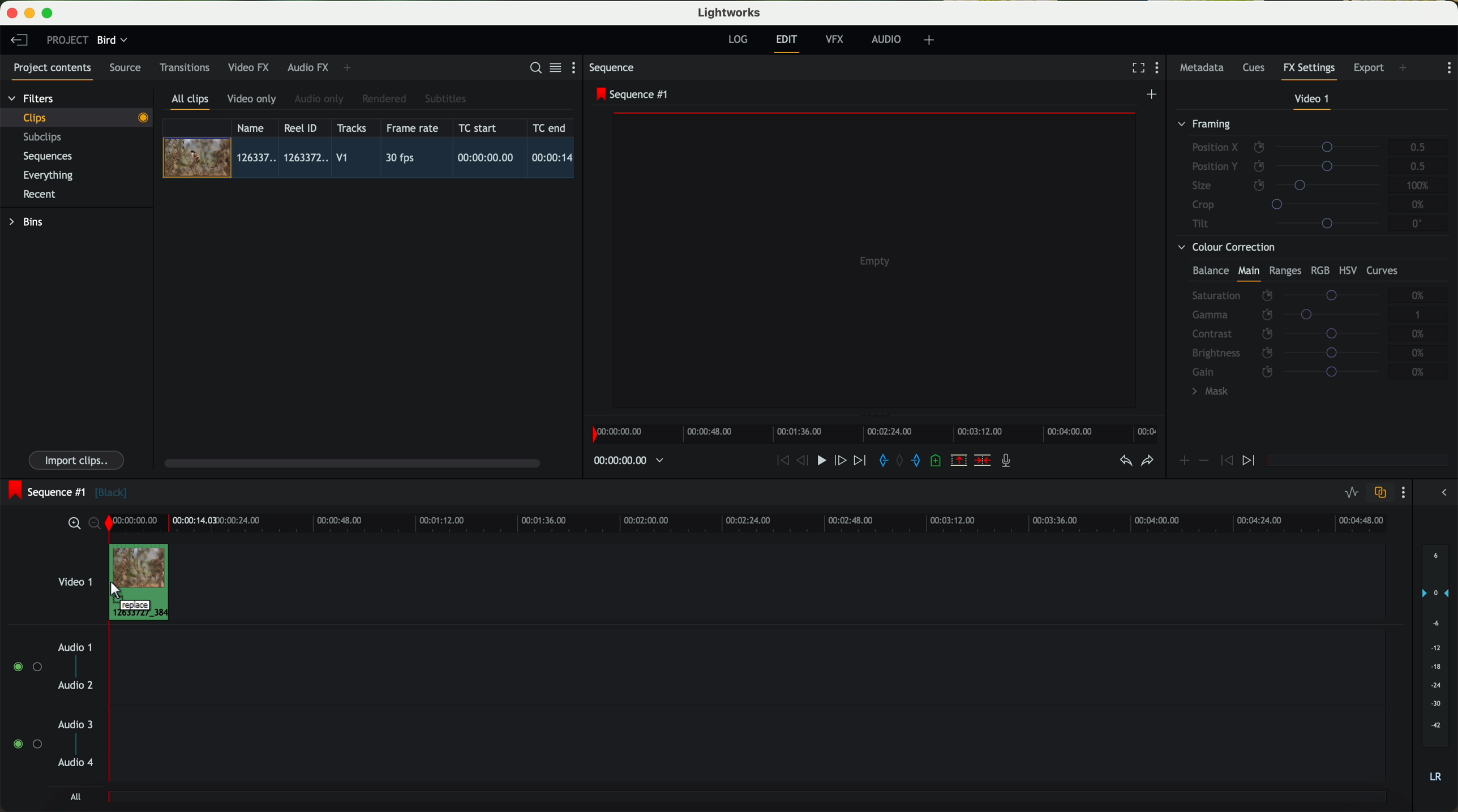 This screenshot has width=1458, height=812. Describe the element at coordinates (255, 128) in the screenshot. I see `name` at that location.